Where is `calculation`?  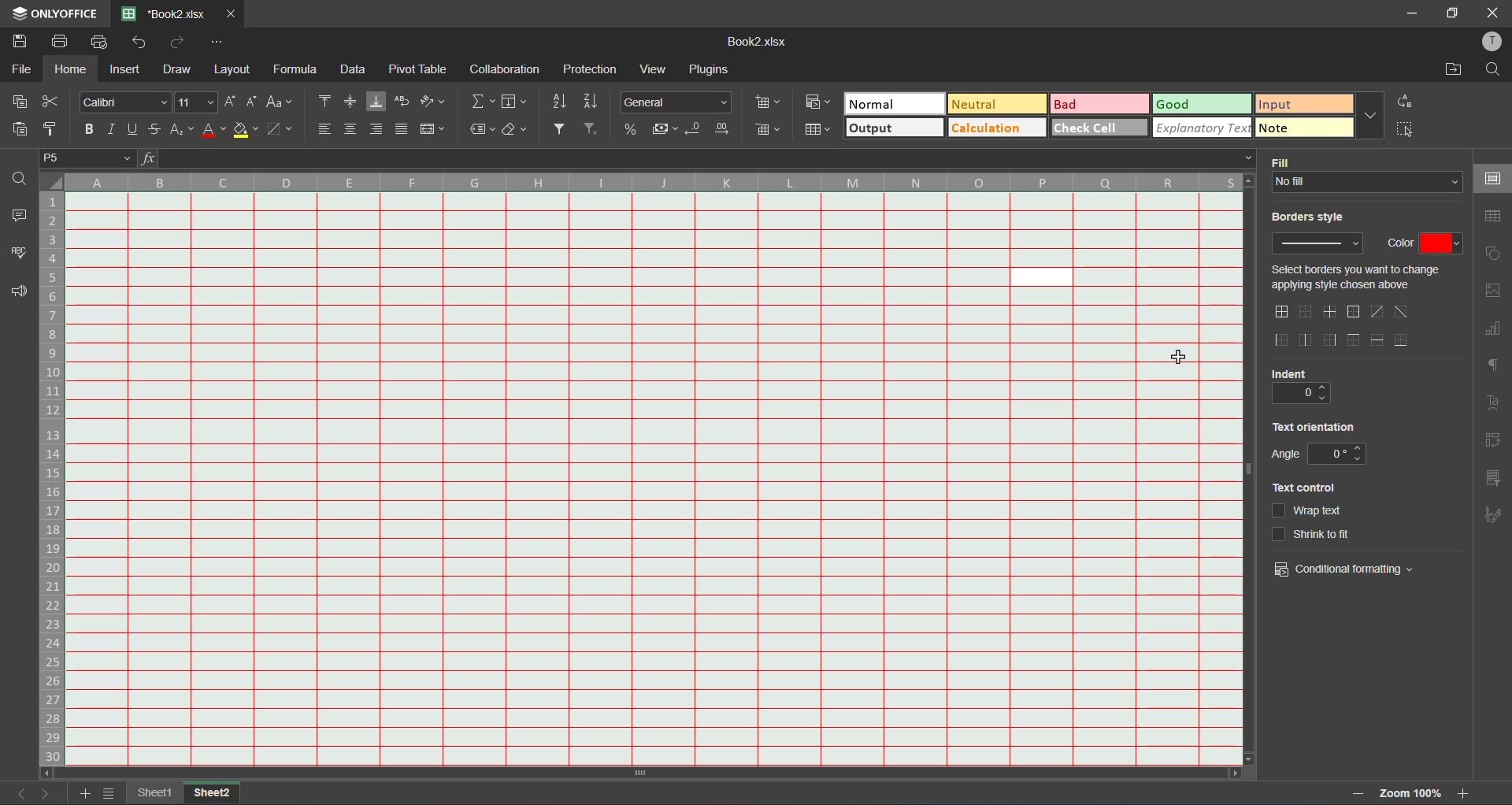
calculation is located at coordinates (993, 129).